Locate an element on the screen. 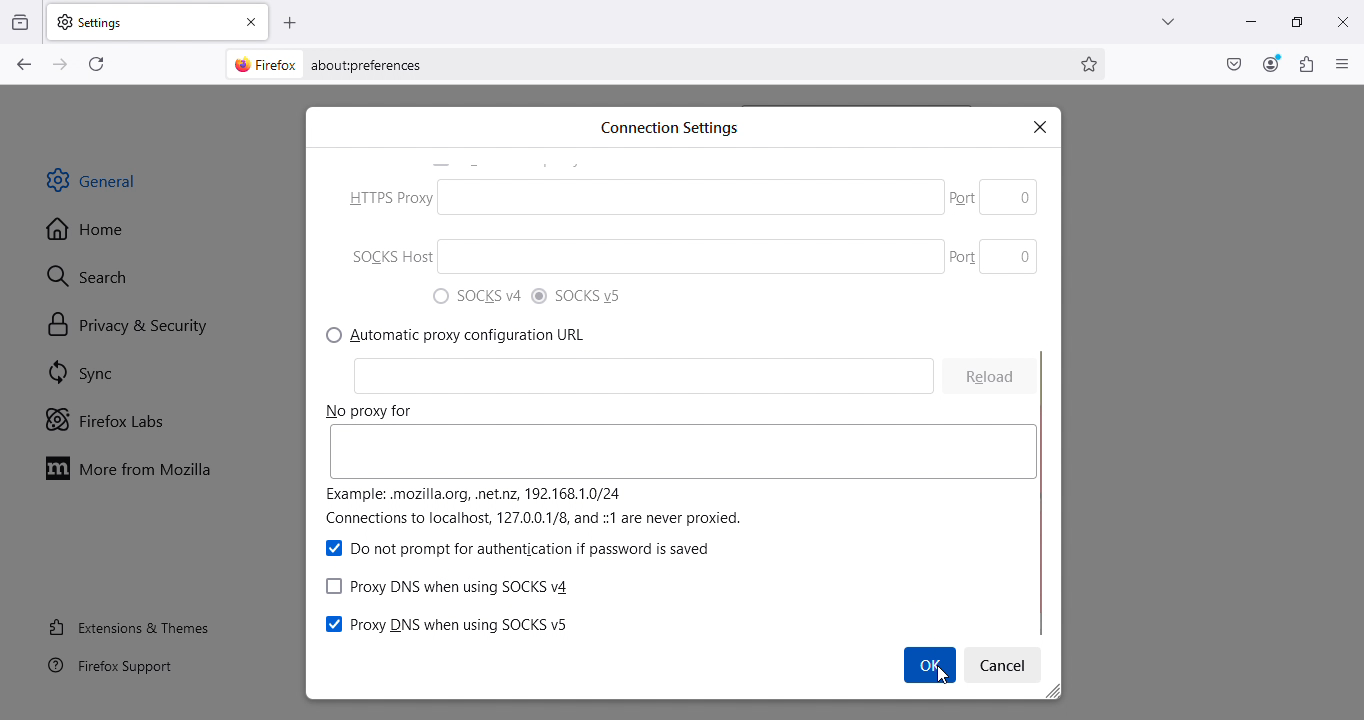 This screenshot has width=1364, height=720. Privacy and security is located at coordinates (126, 325).